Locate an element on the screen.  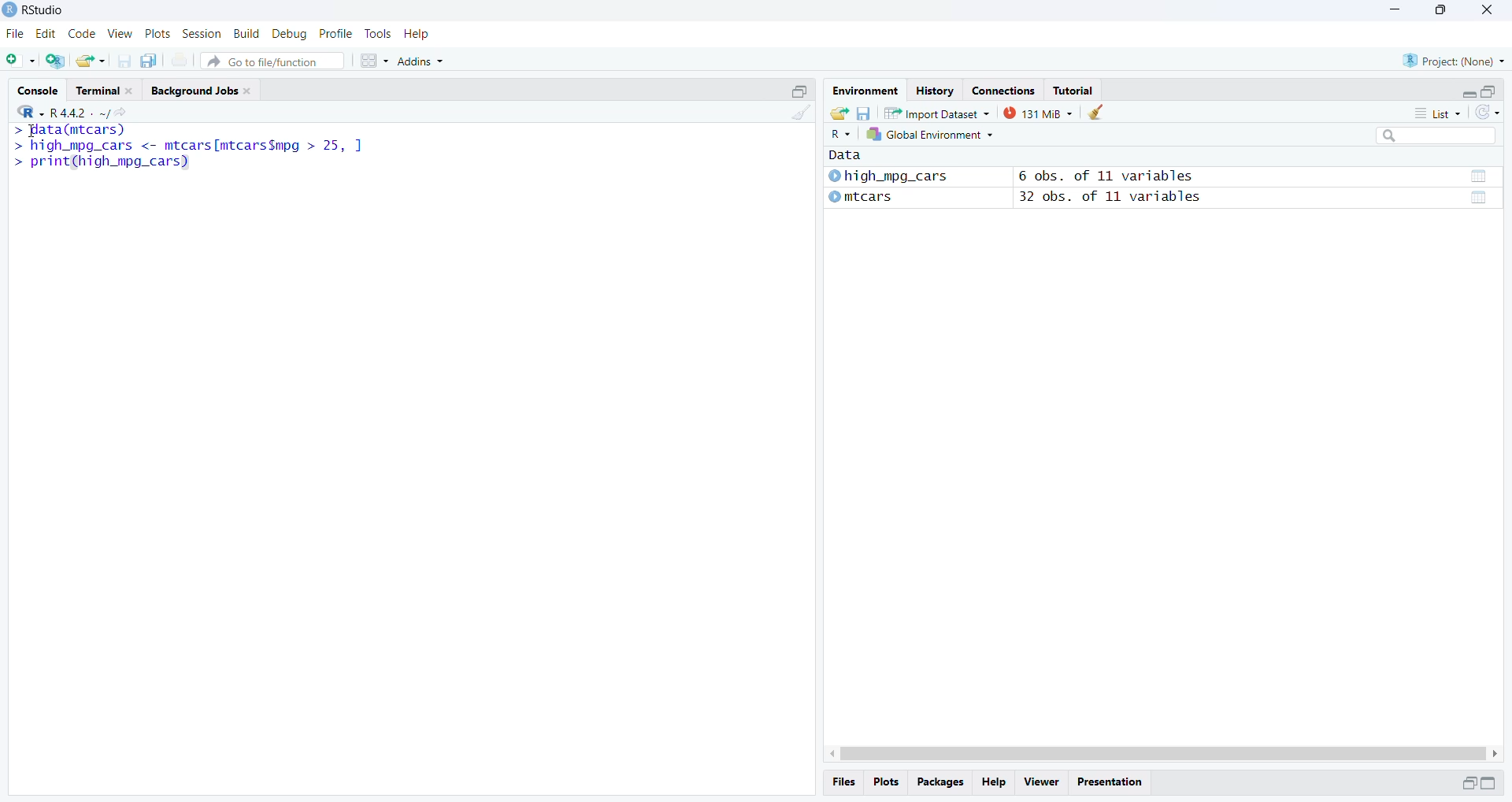
load workspace is located at coordinates (839, 113).